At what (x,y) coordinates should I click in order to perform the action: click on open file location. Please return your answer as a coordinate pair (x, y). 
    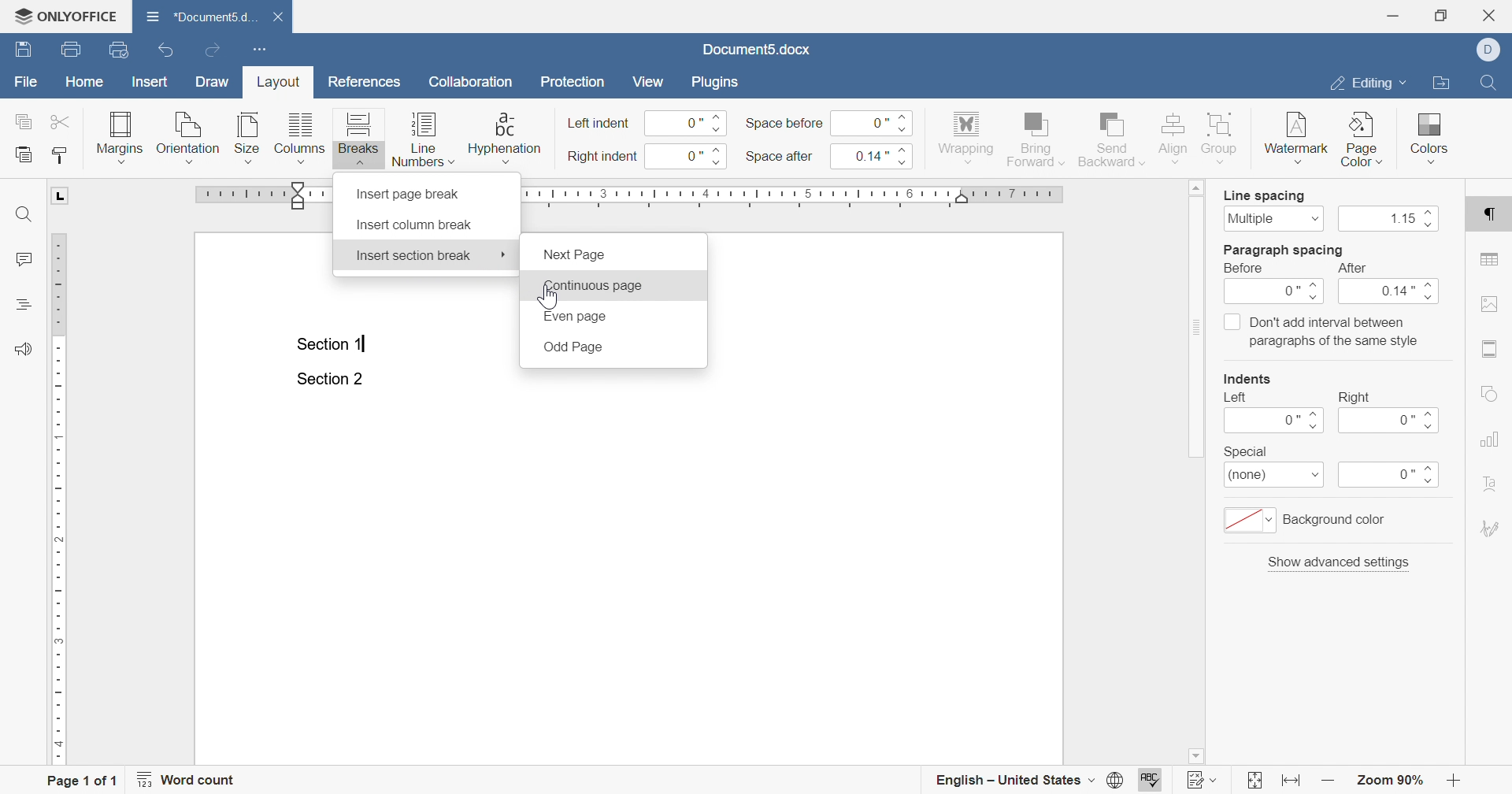
    Looking at the image, I should click on (1441, 83).